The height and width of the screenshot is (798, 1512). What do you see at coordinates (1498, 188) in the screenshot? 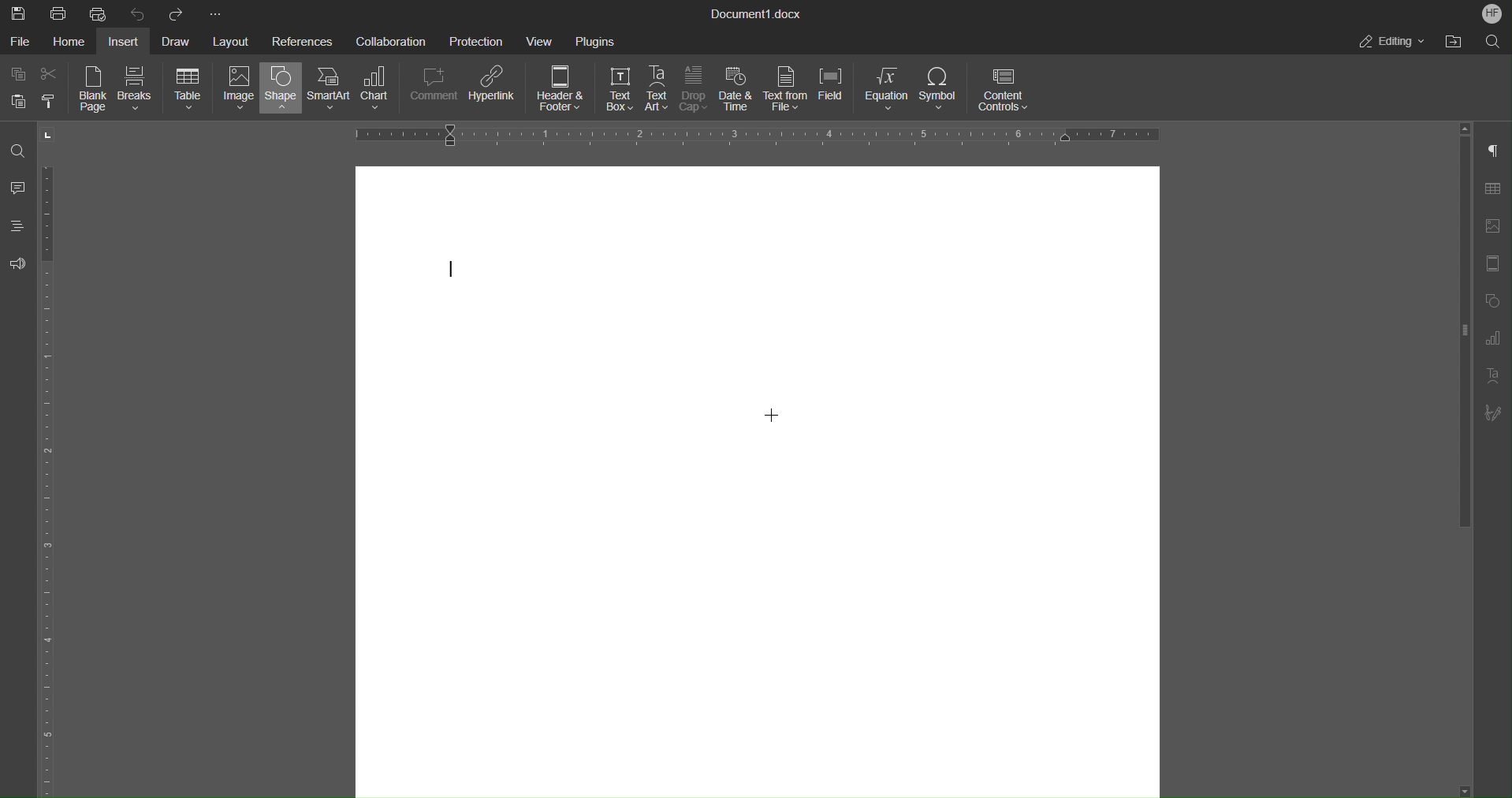
I see `Tables` at bounding box center [1498, 188].